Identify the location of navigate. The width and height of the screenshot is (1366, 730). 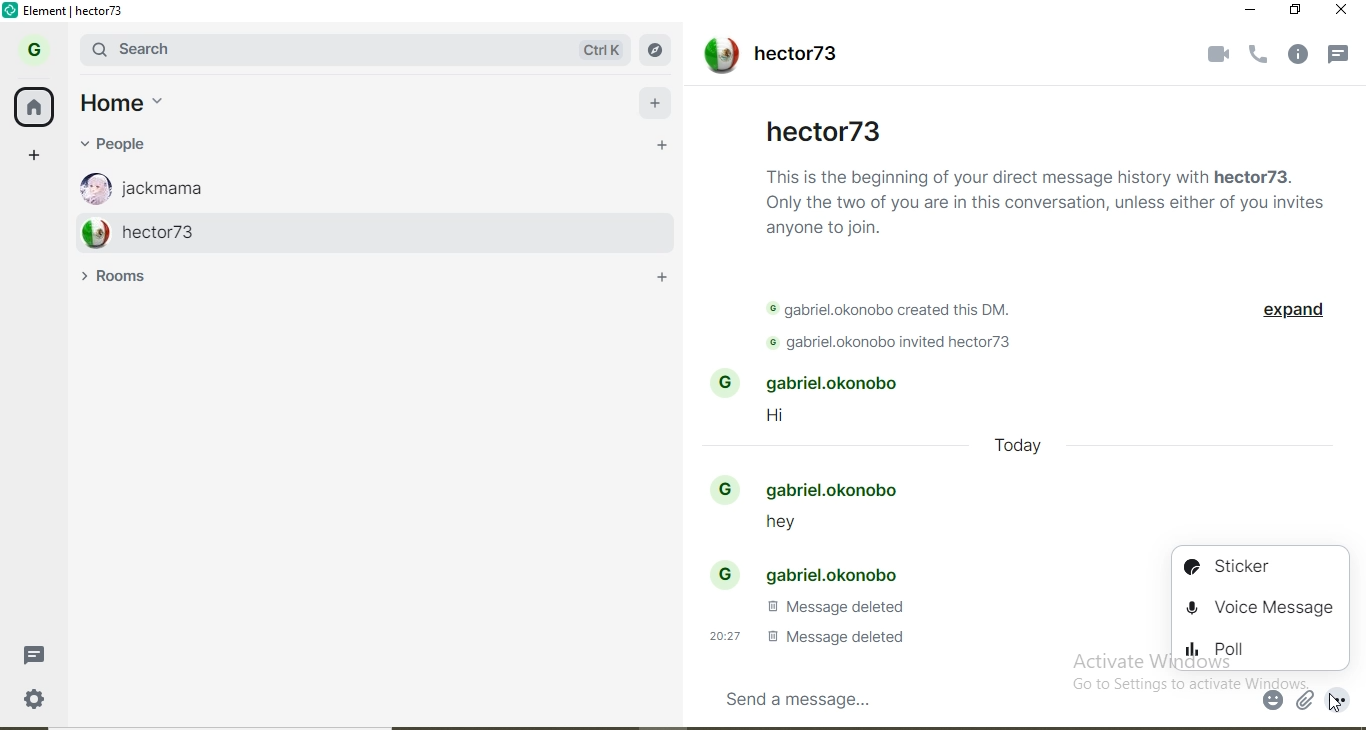
(660, 51).